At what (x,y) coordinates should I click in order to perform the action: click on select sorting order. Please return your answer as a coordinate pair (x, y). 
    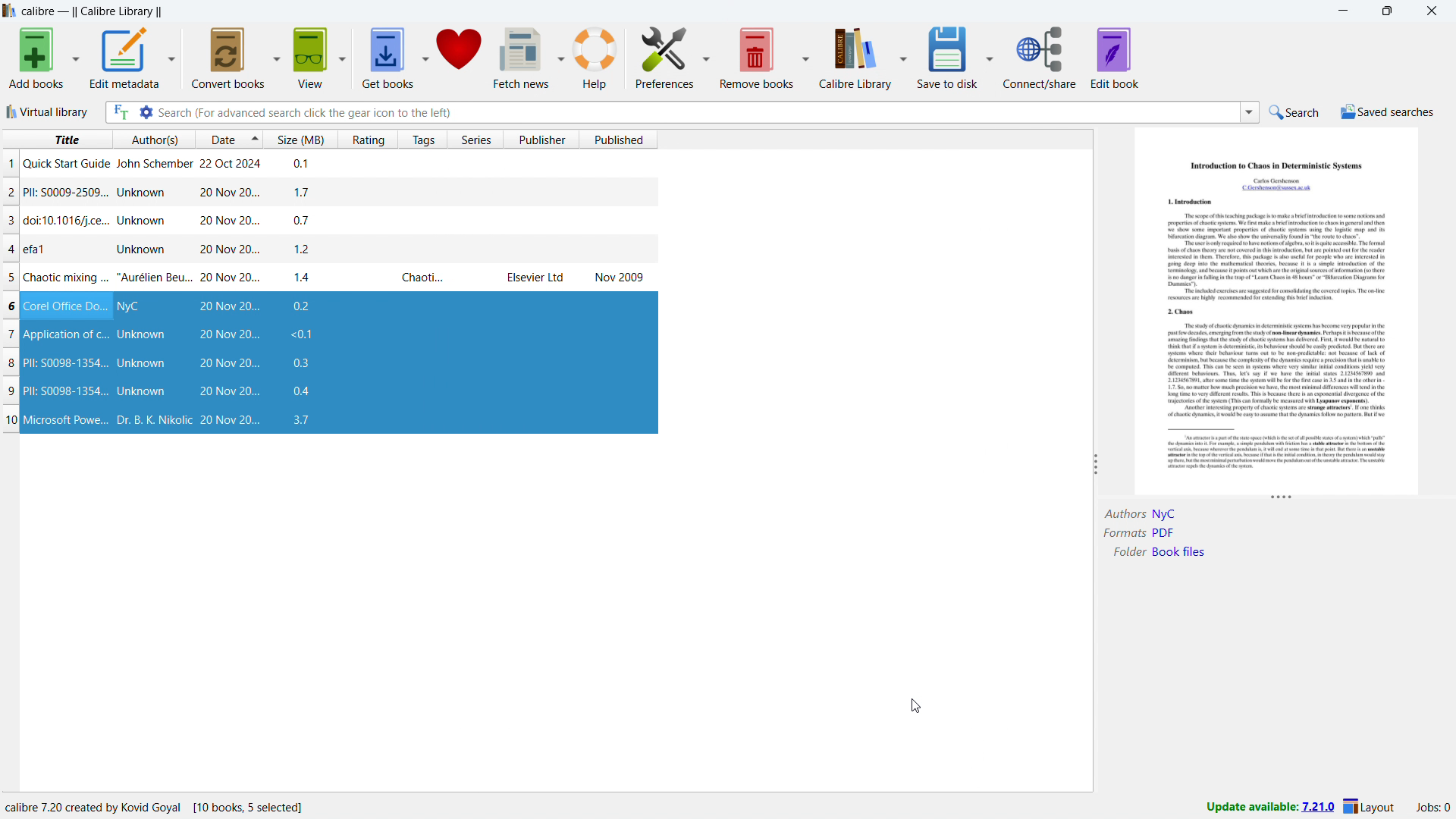
    Looking at the image, I should click on (251, 139).